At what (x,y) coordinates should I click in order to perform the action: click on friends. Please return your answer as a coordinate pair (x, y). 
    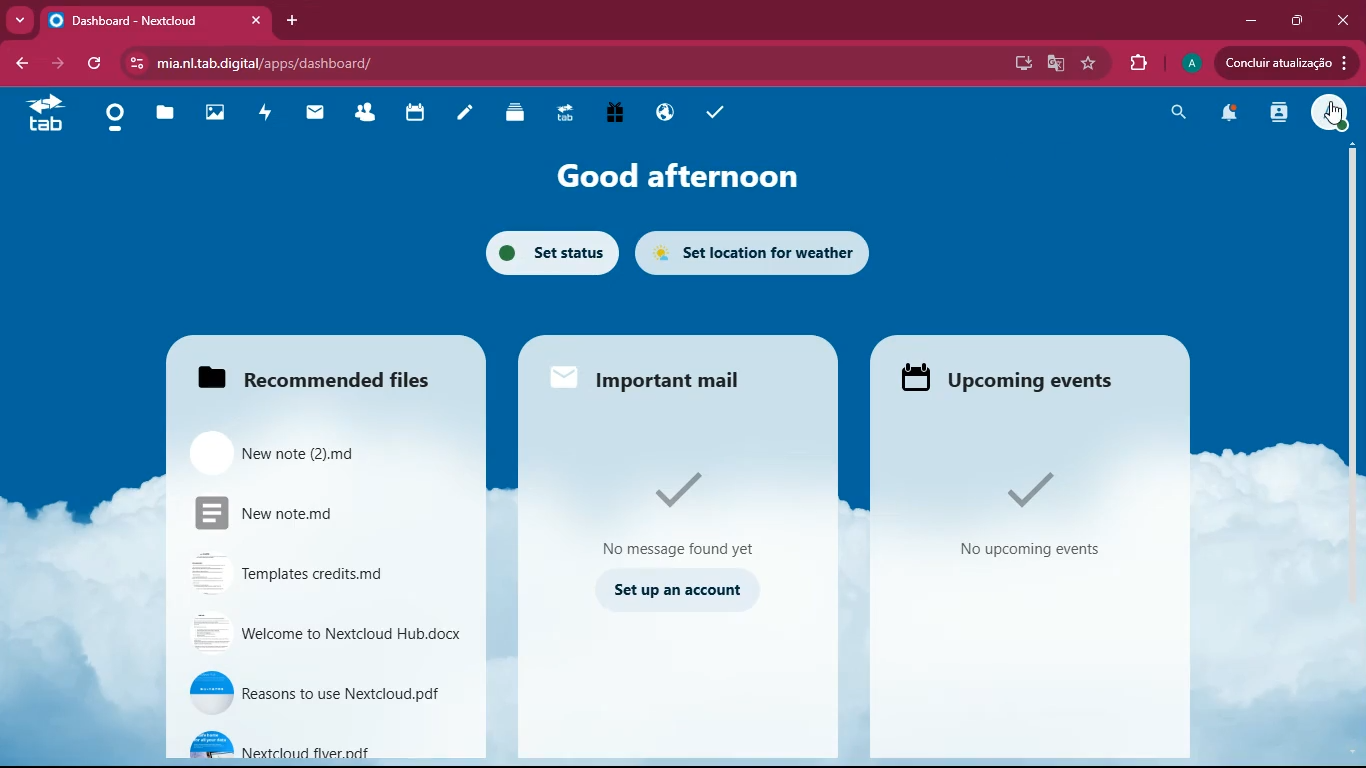
    Looking at the image, I should click on (363, 115).